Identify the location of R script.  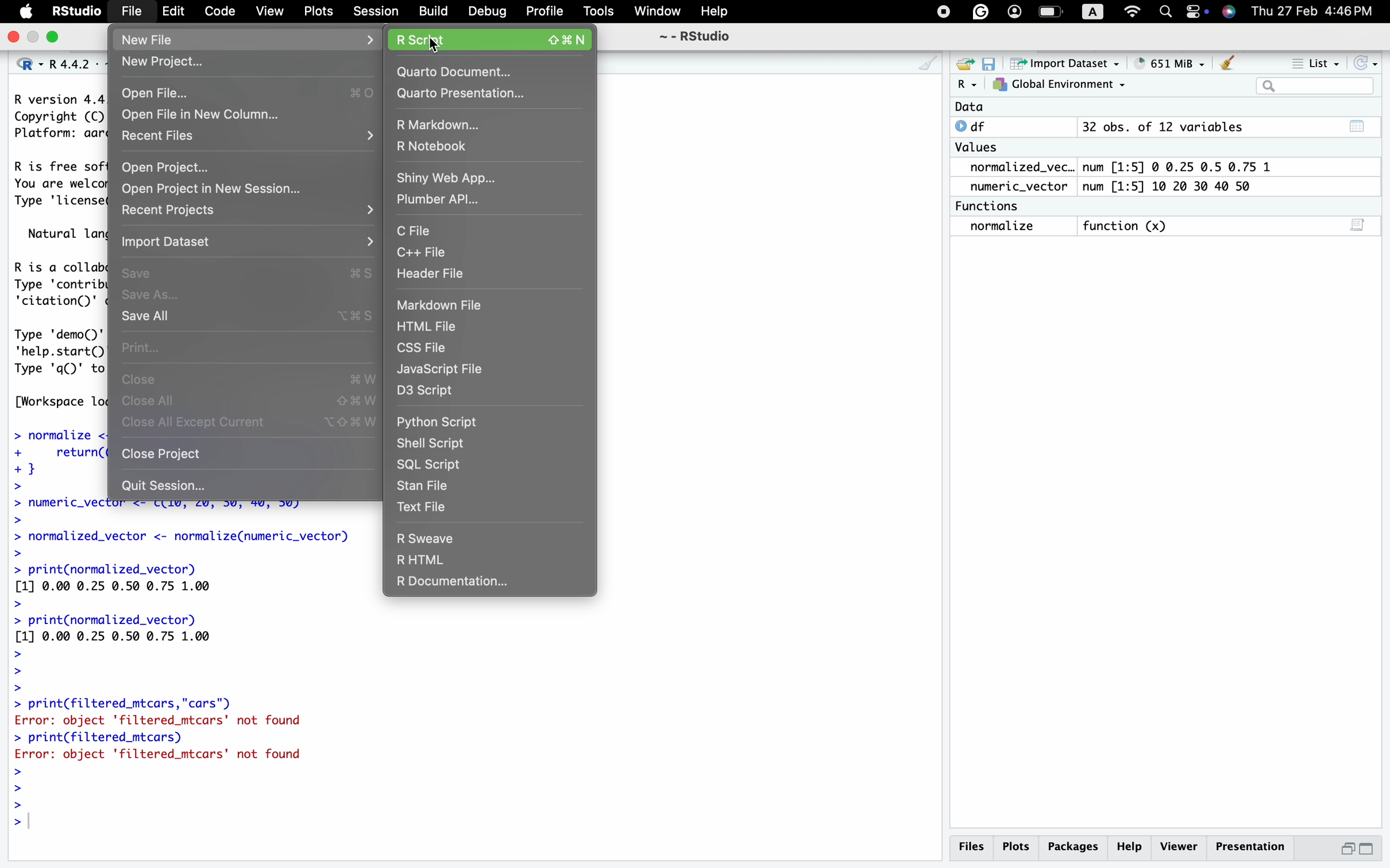
(494, 36).